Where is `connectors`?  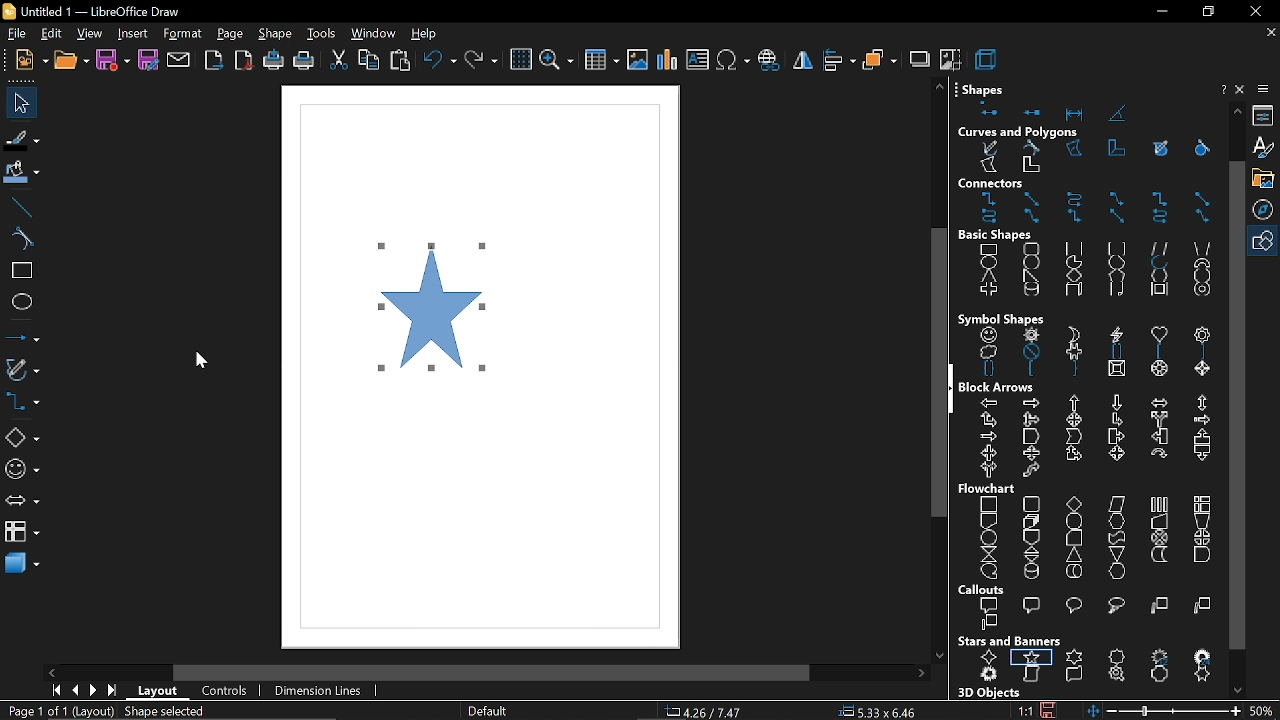
connectors is located at coordinates (22, 404).